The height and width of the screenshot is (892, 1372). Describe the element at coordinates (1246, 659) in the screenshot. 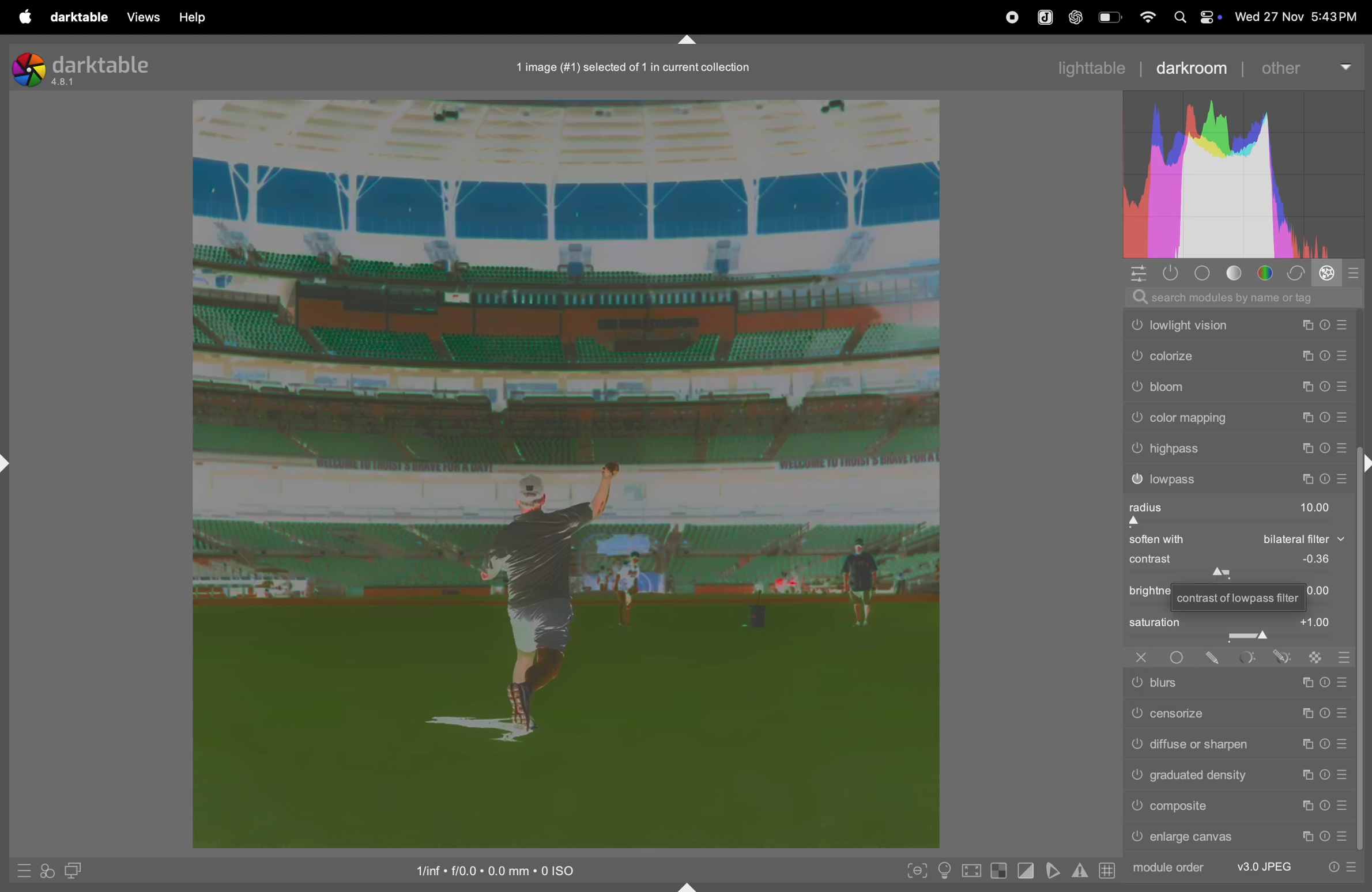

I see `parametric mask` at that location.